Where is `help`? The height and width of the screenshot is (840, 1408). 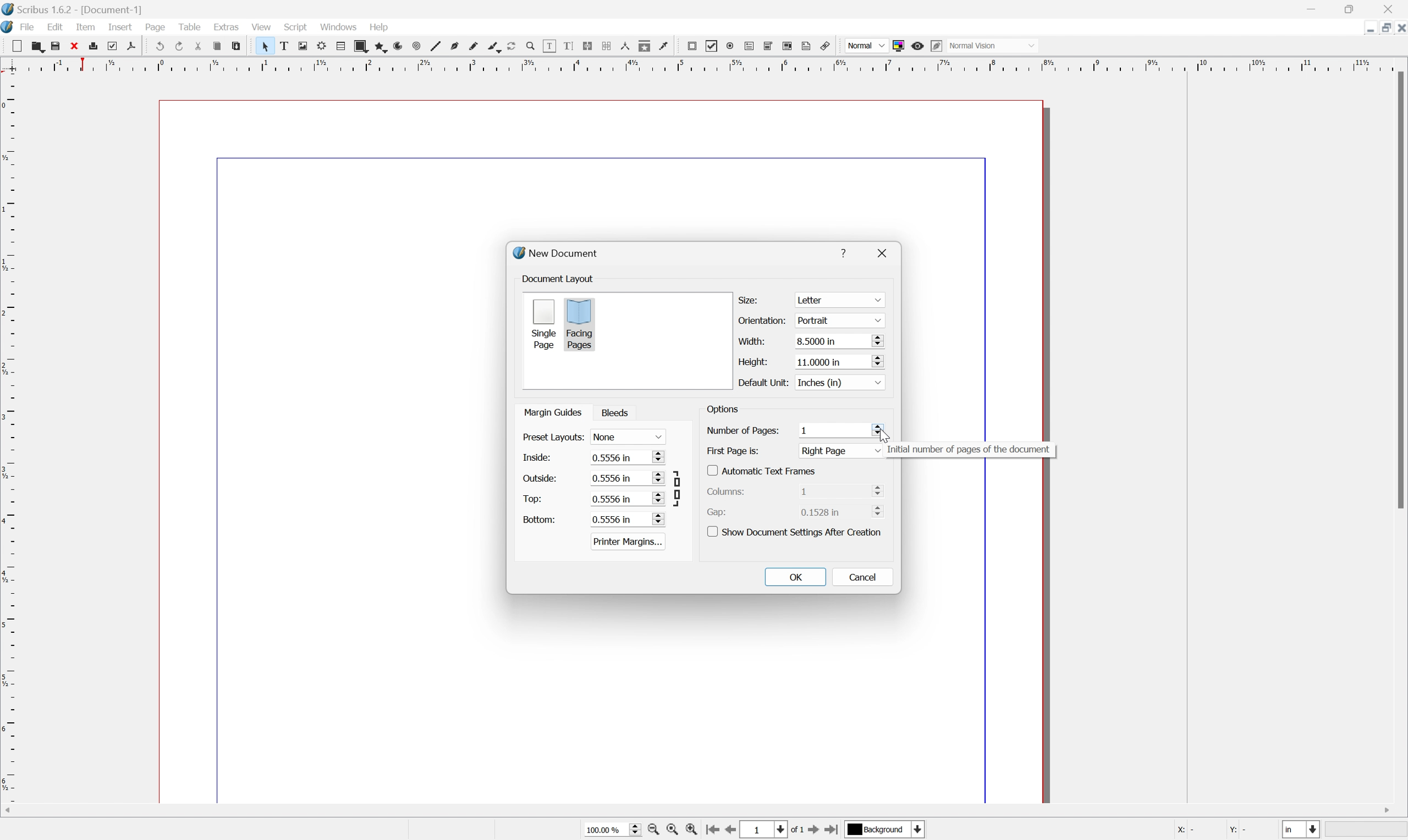
help is located at coordinates (846, 251).